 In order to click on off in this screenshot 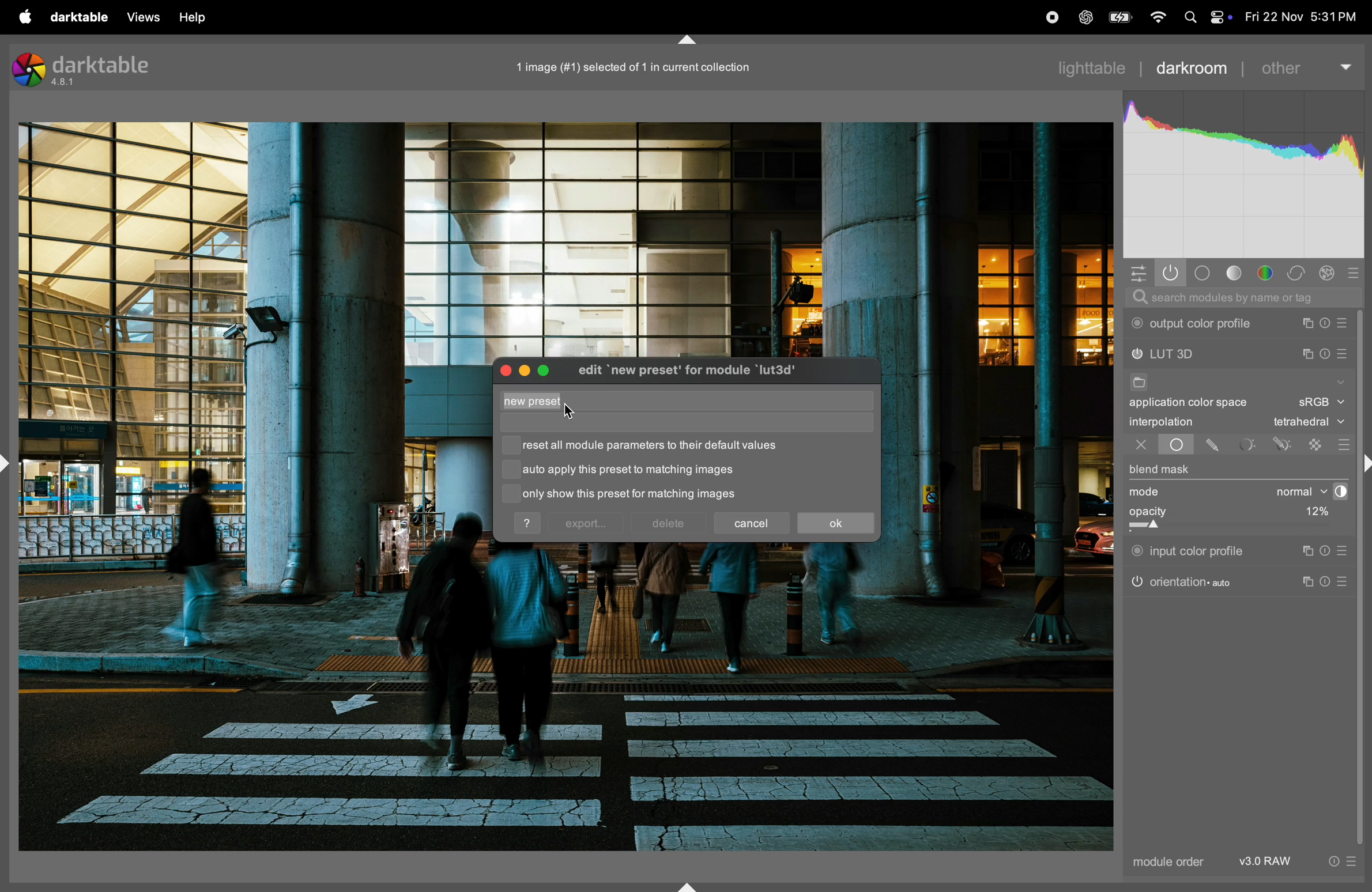, I will do `click(1141, 446)`.